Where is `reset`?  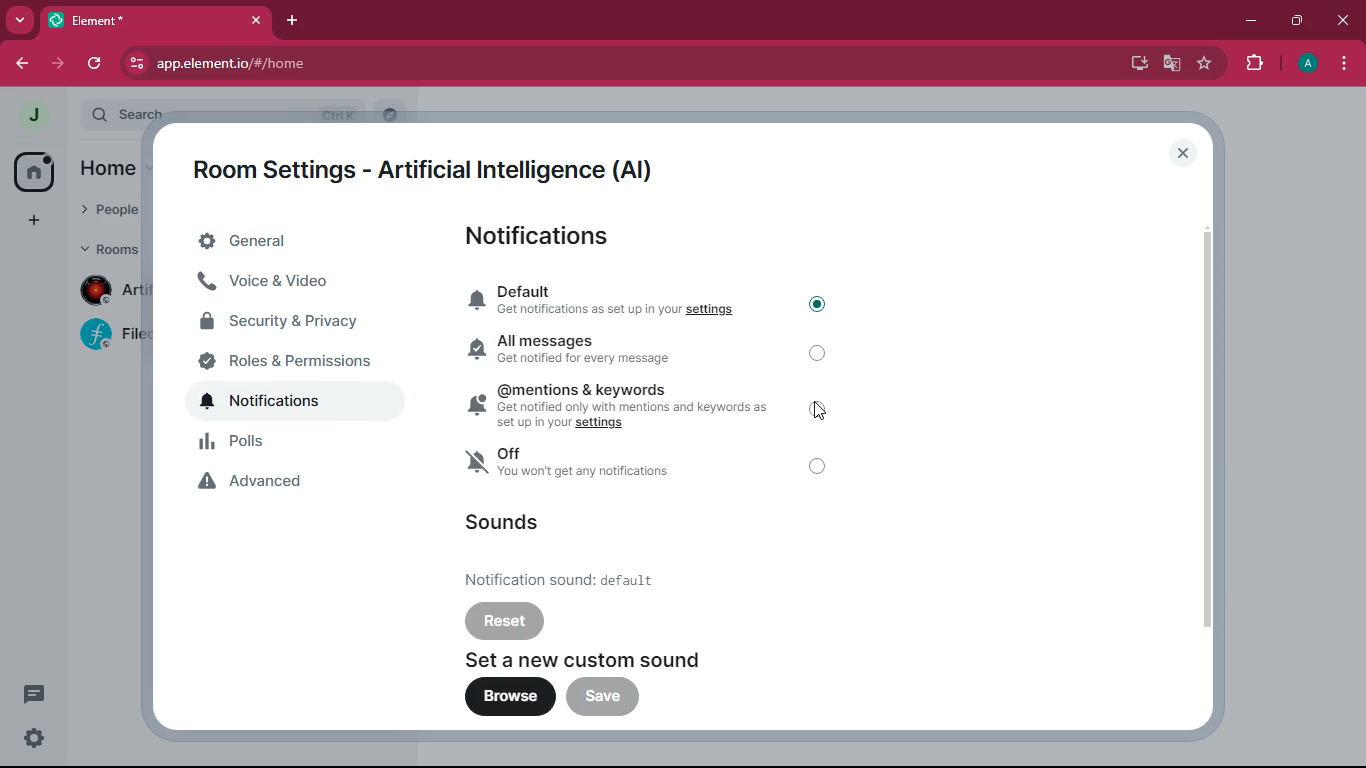 reset is located at coordinates (506, 620).